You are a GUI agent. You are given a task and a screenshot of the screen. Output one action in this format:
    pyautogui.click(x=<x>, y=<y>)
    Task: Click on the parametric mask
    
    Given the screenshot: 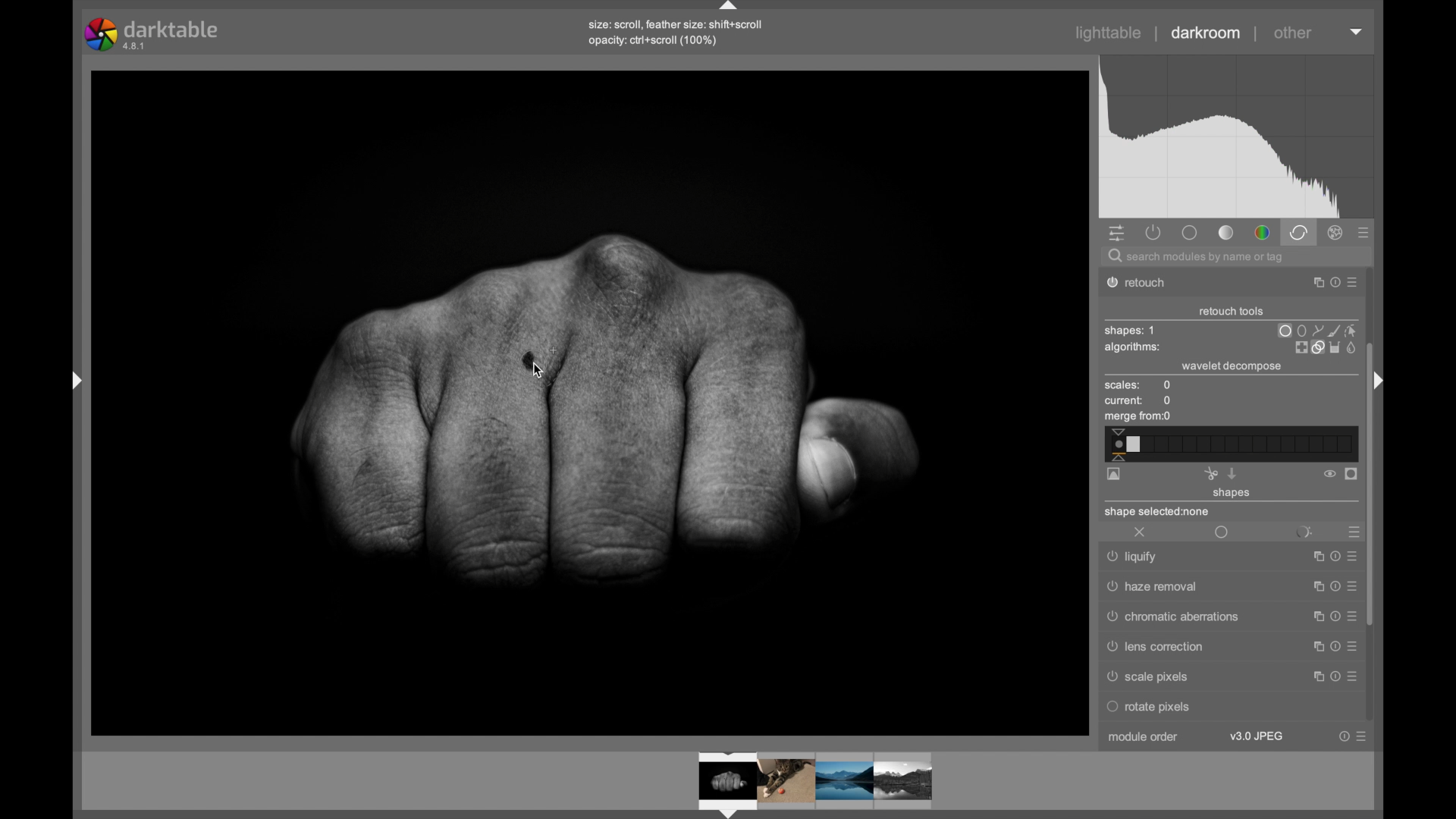 What is the action you would take?
    pyautogui.click(x=1303, y=532)
    